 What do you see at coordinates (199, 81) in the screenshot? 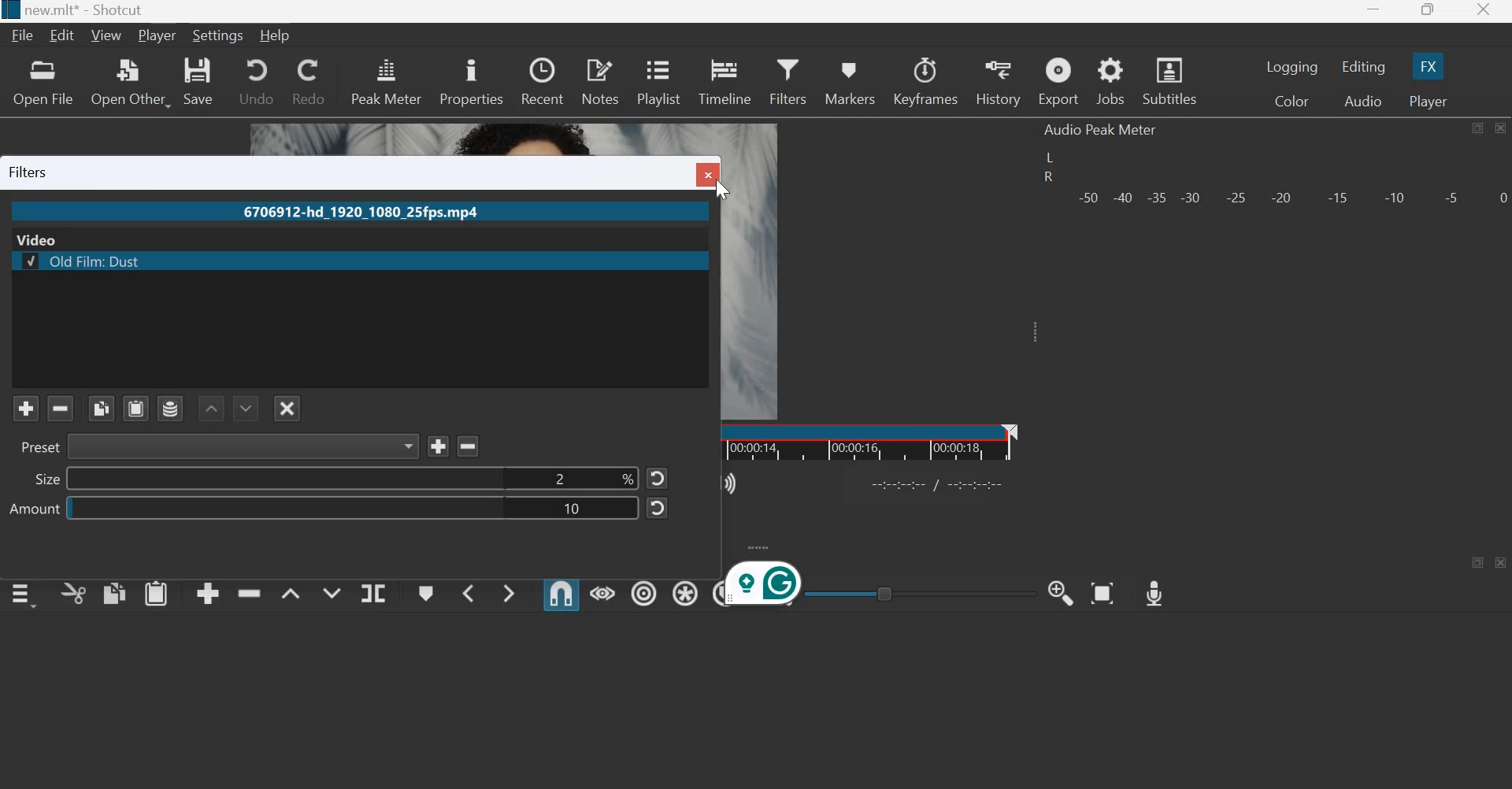
I see `save` at bounding box center [199, 81].